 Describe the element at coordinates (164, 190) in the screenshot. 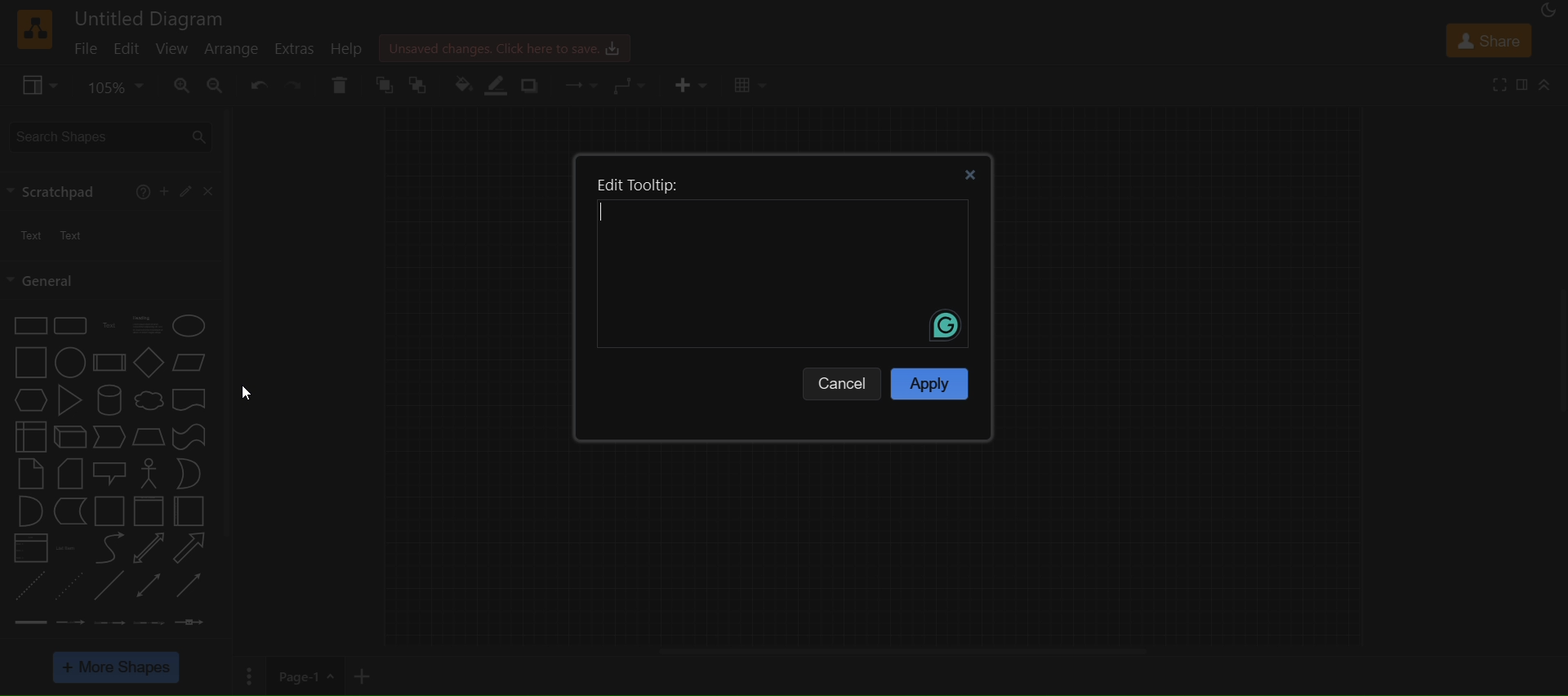

I see `add` at that location.